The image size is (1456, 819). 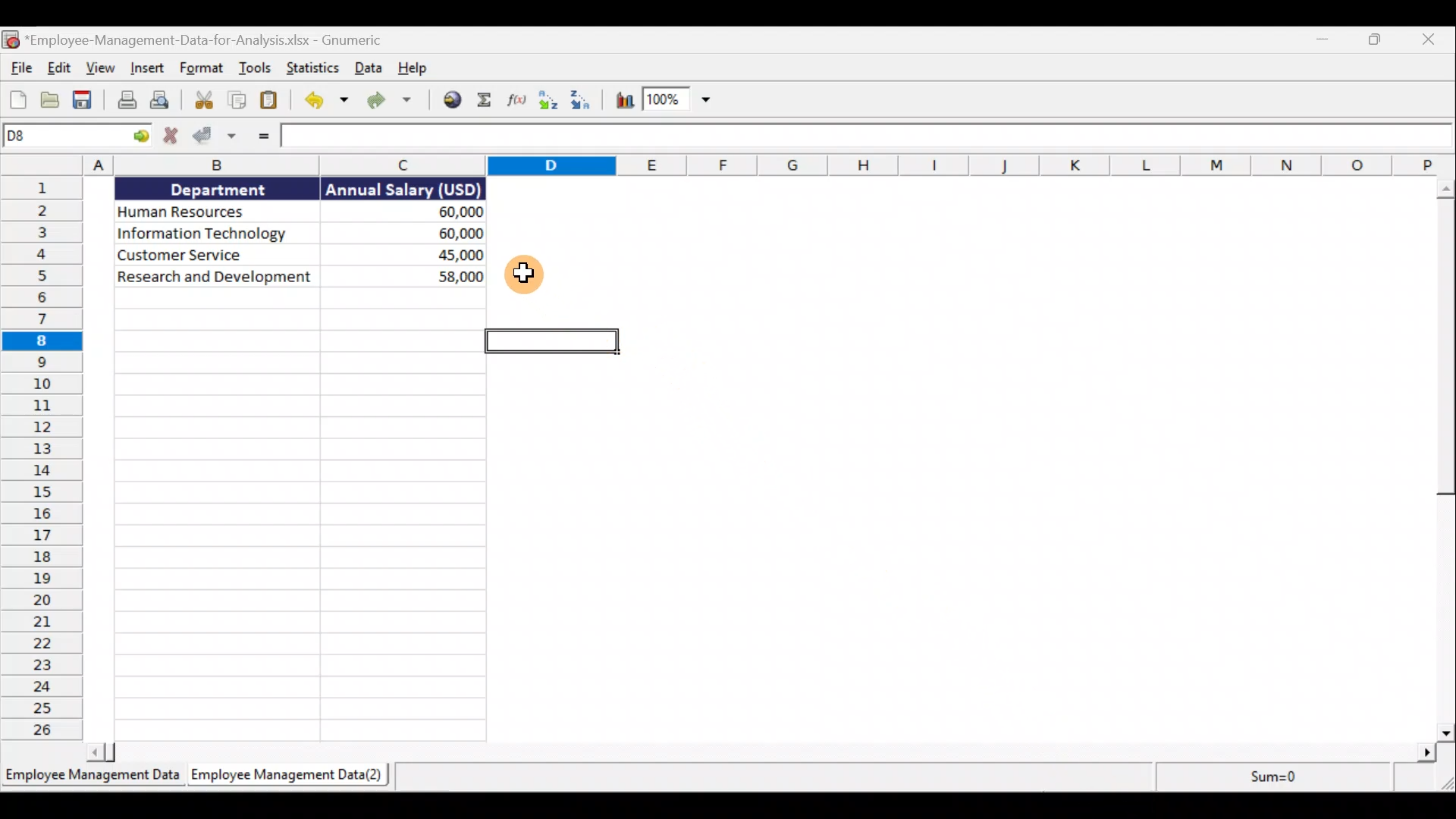 I want to click on Sort descending, so click(x=588, y=103).